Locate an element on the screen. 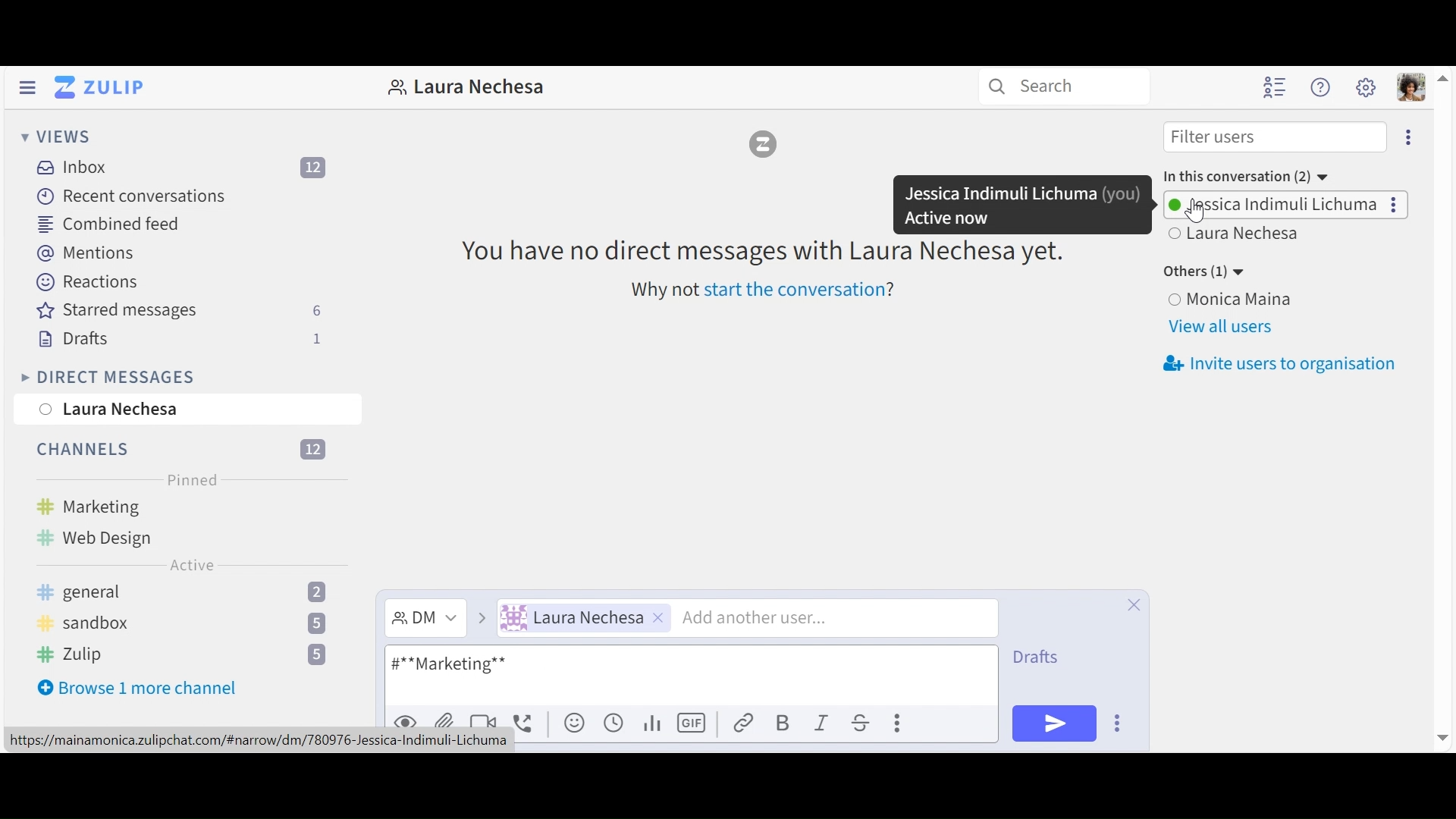  Zulip is located at coordinates (182, 654).